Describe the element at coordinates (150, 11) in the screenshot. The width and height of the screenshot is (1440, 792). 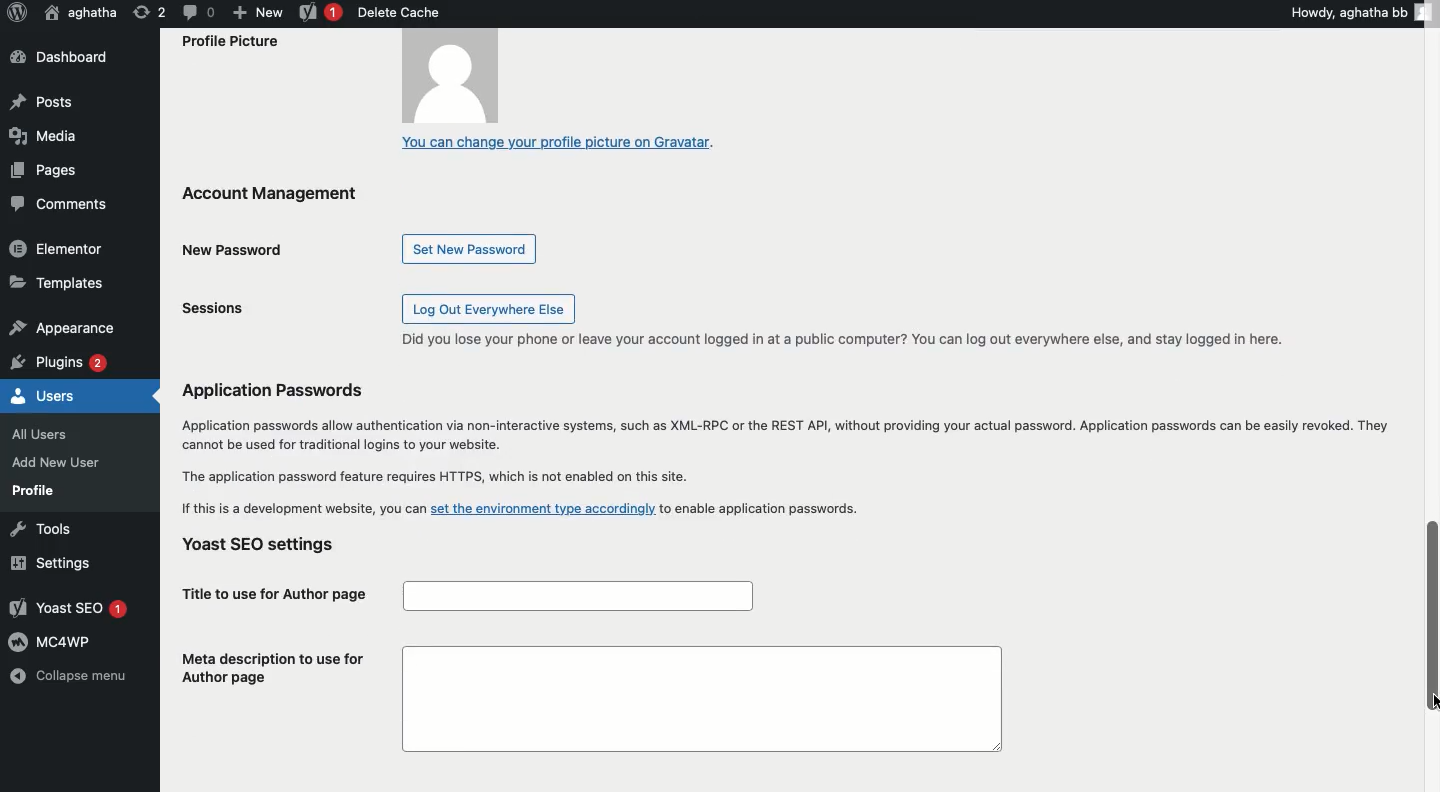
I see `Revision` at that location.